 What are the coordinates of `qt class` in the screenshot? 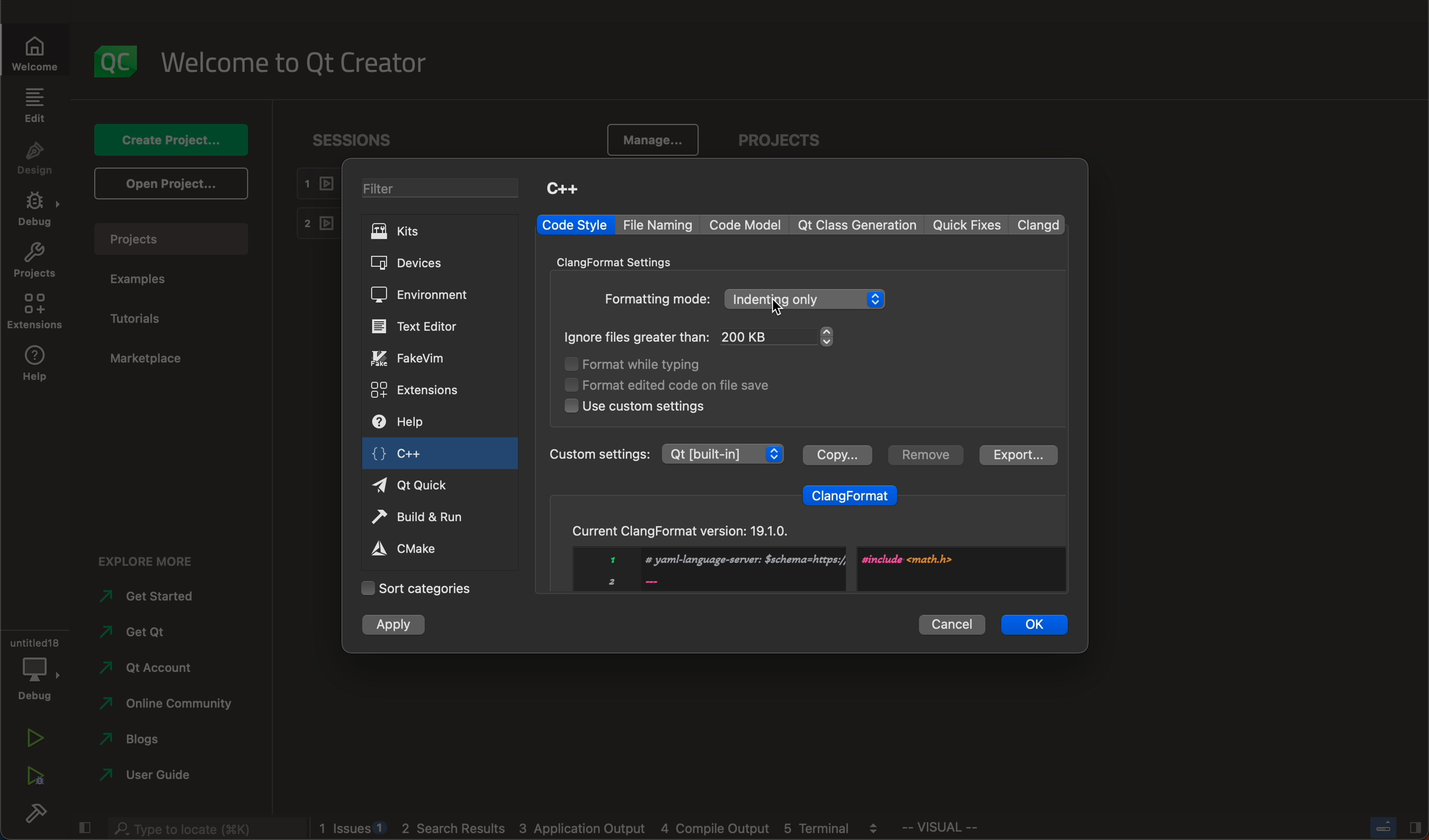 It's located at (858, 225).